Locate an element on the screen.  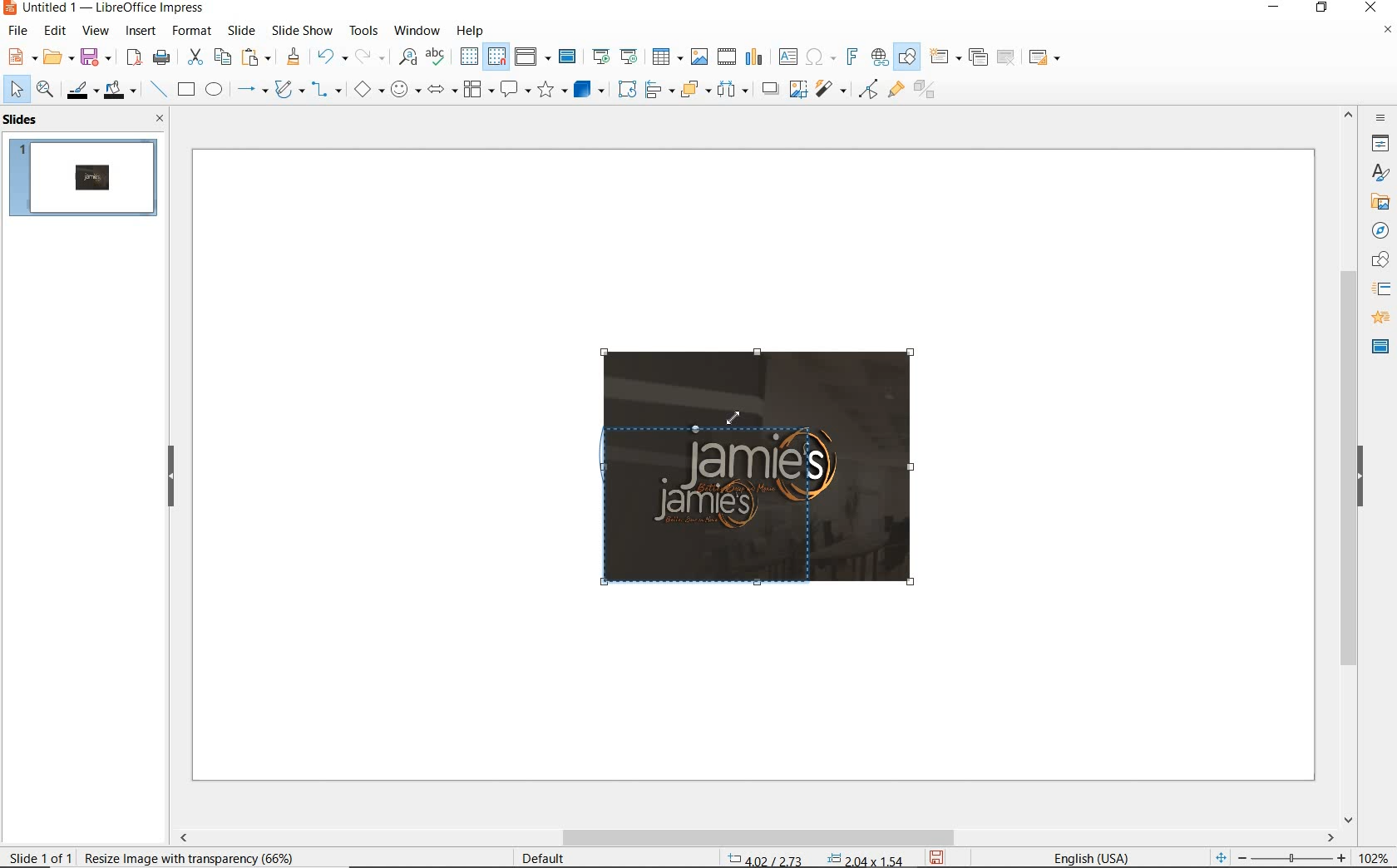
insert chart is located at coordinates (754, 57).